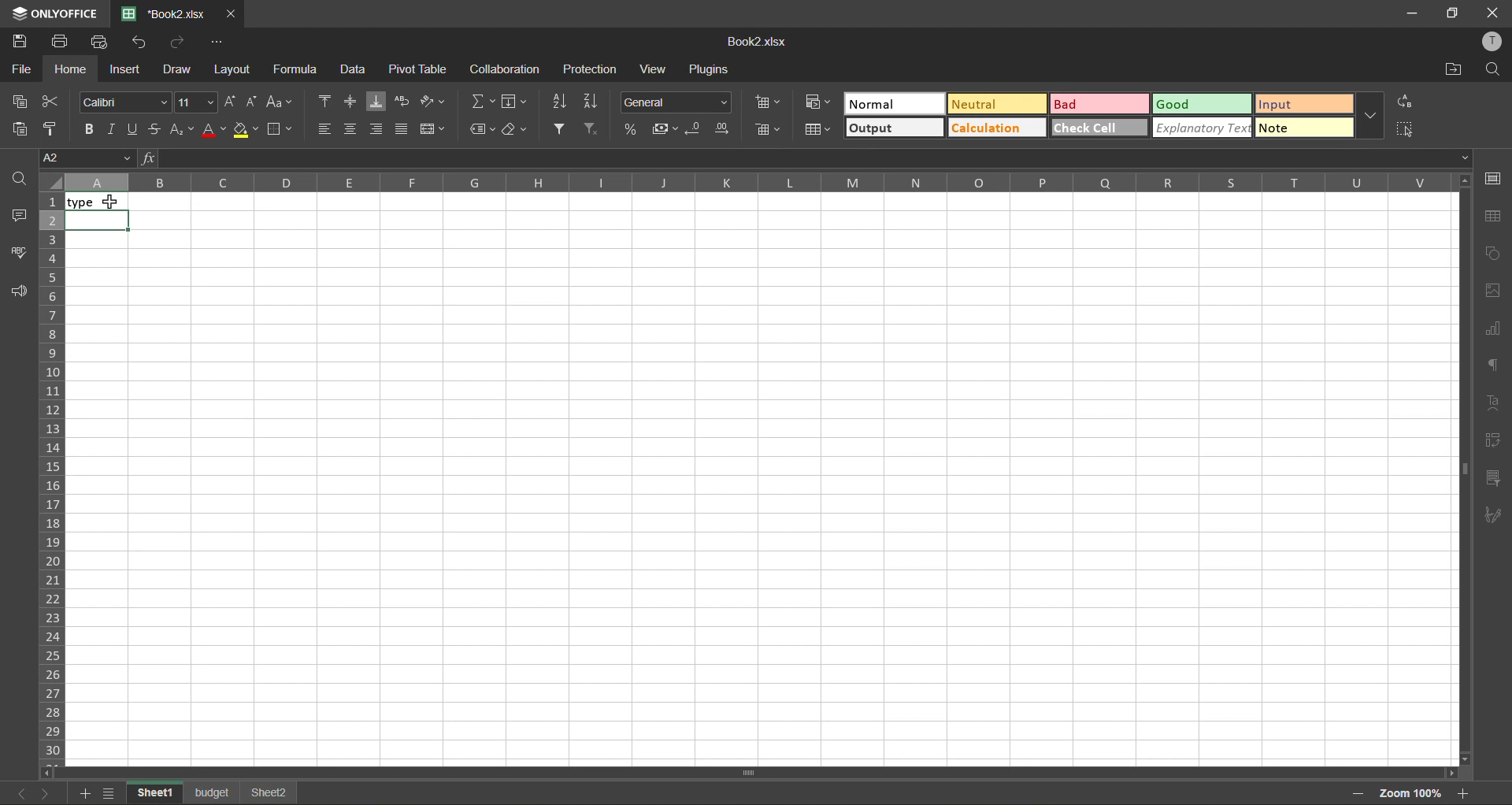 The image size is (1512, 805). What do you see at coordinates (434, 101) in the screenshot?
I see `orientation` at bounding box center [434, 101].